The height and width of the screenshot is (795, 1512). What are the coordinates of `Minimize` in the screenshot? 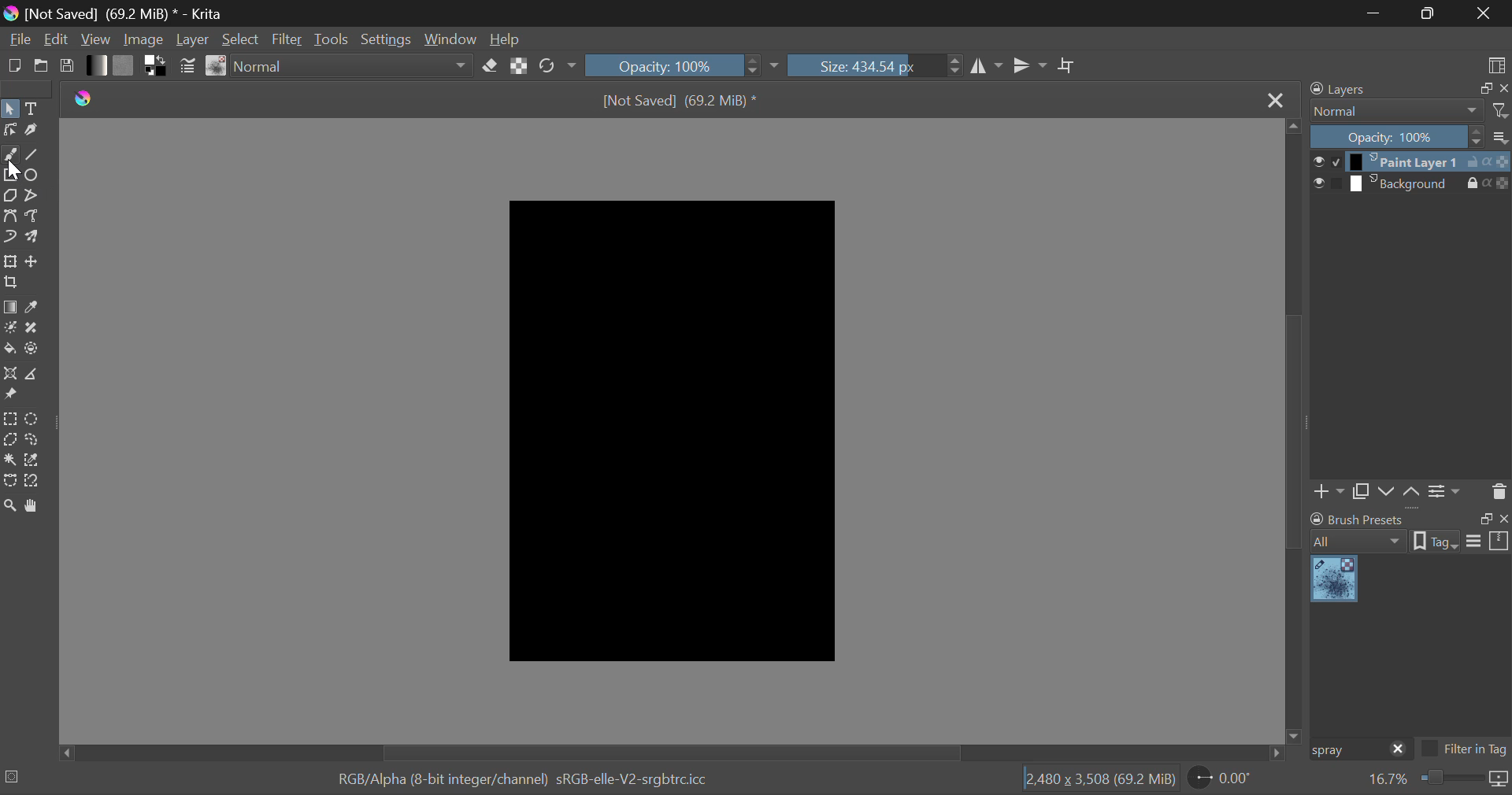 It's located at (1431, 12).